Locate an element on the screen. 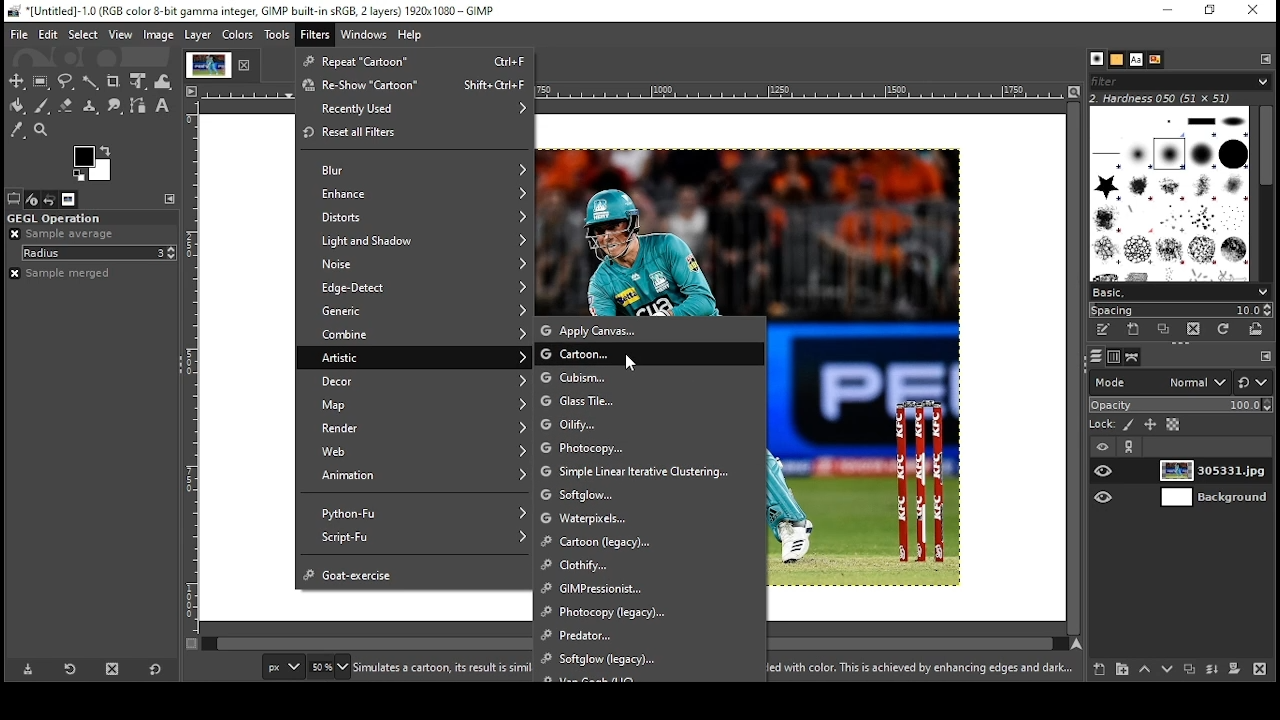 The height and width of the screenshot is (720, 1280). file is located at coordinates (20, 35).